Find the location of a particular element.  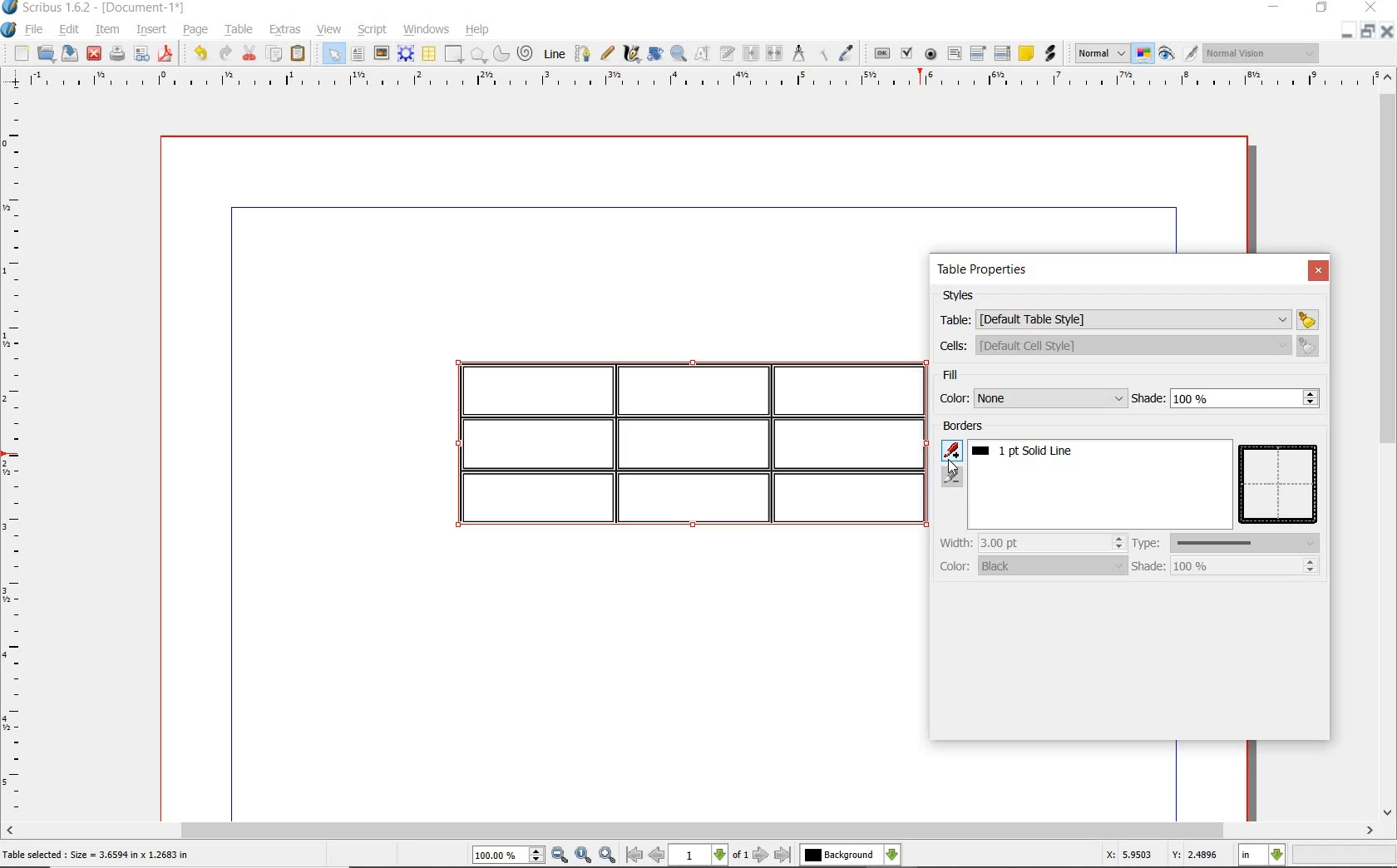

bezier curve is located at coordinates (583, 56).